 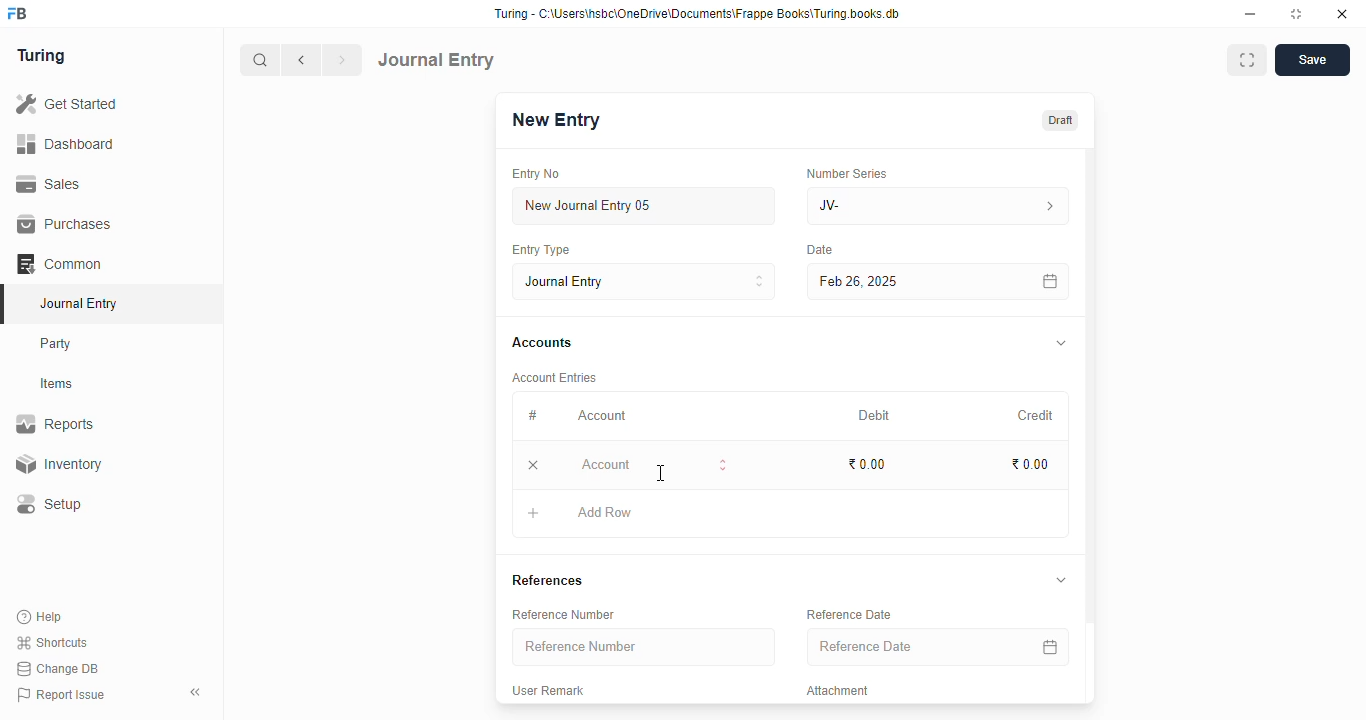 I want to click on toggle expand/collapse, so click(x=1062, y=344).